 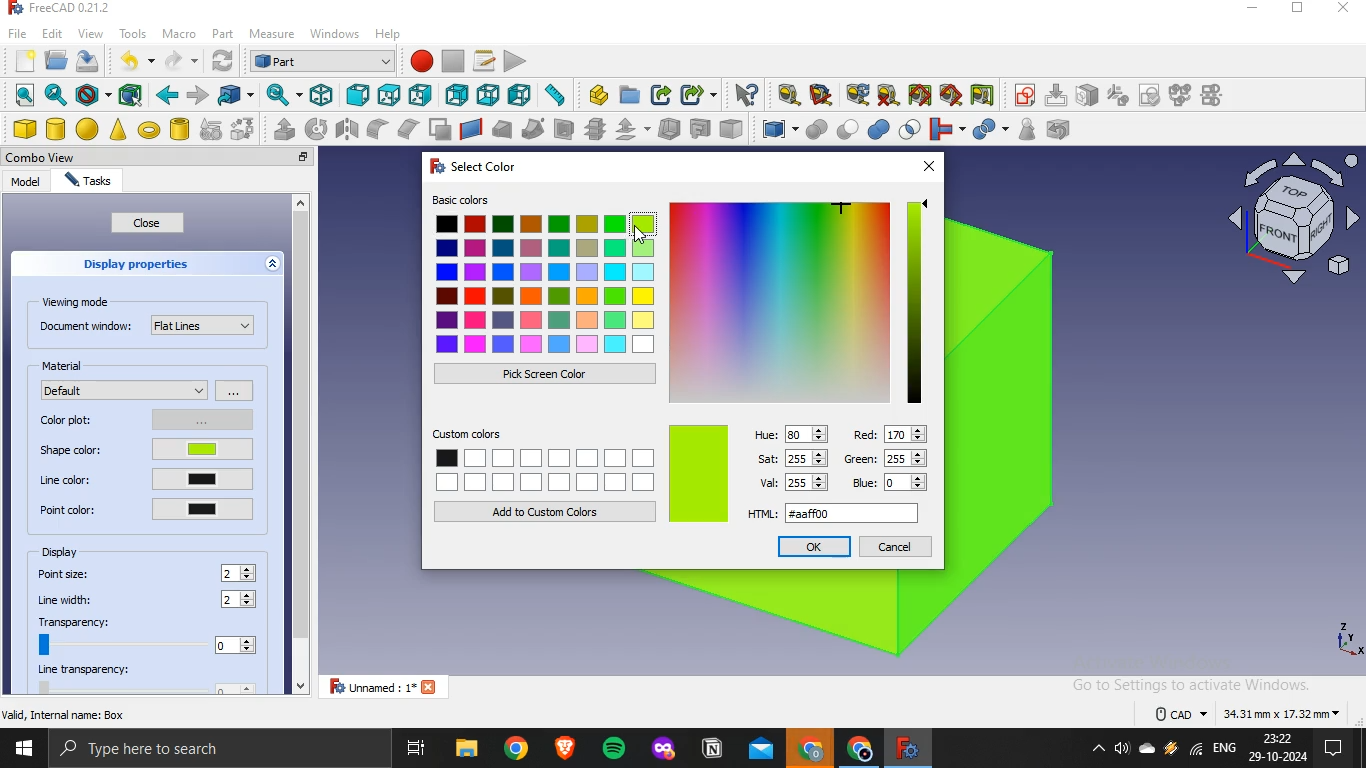 I want to click on brave, so click(x=565, y=747).